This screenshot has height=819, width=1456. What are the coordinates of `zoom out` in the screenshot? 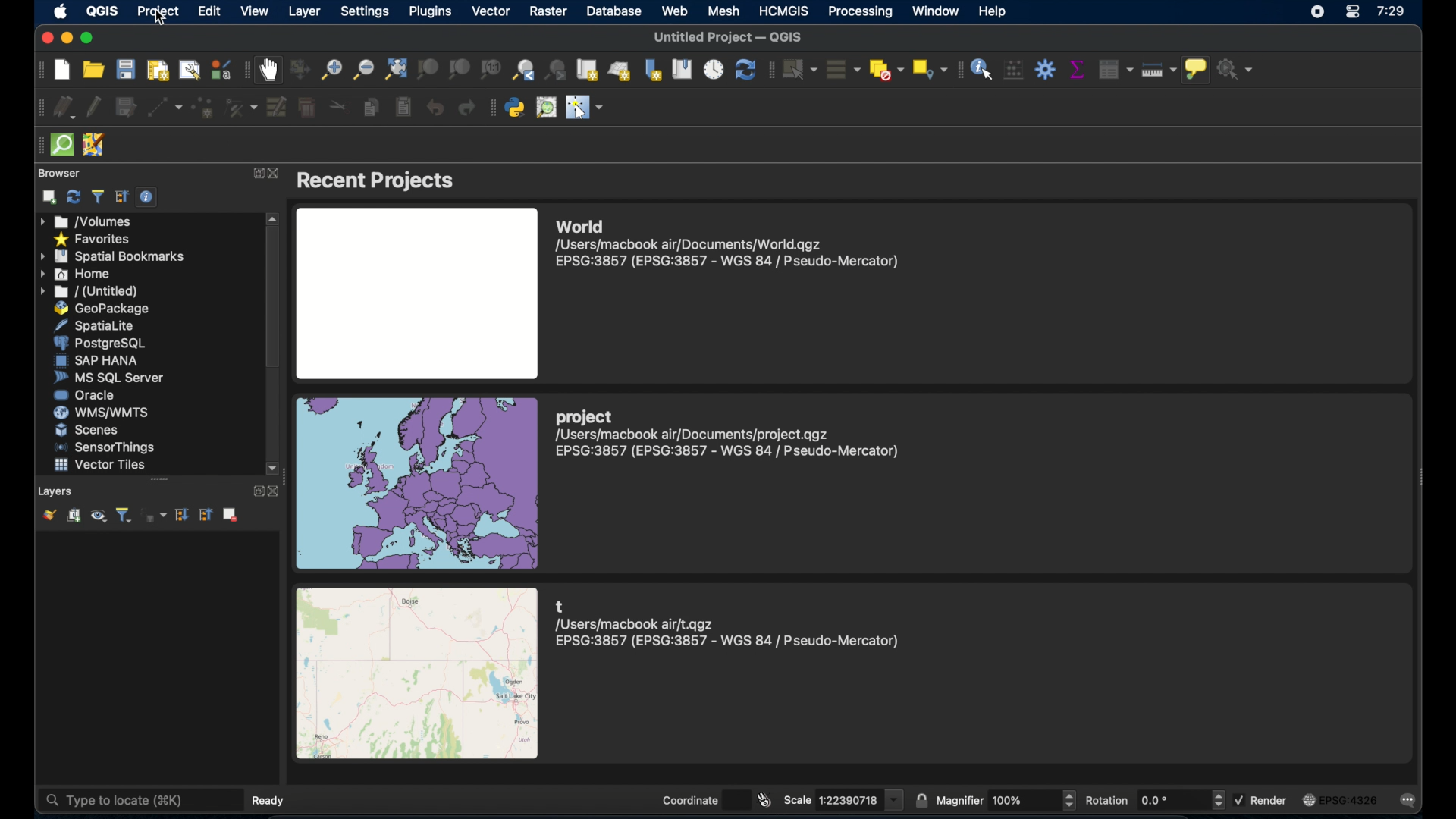 It's located at (362, 70).